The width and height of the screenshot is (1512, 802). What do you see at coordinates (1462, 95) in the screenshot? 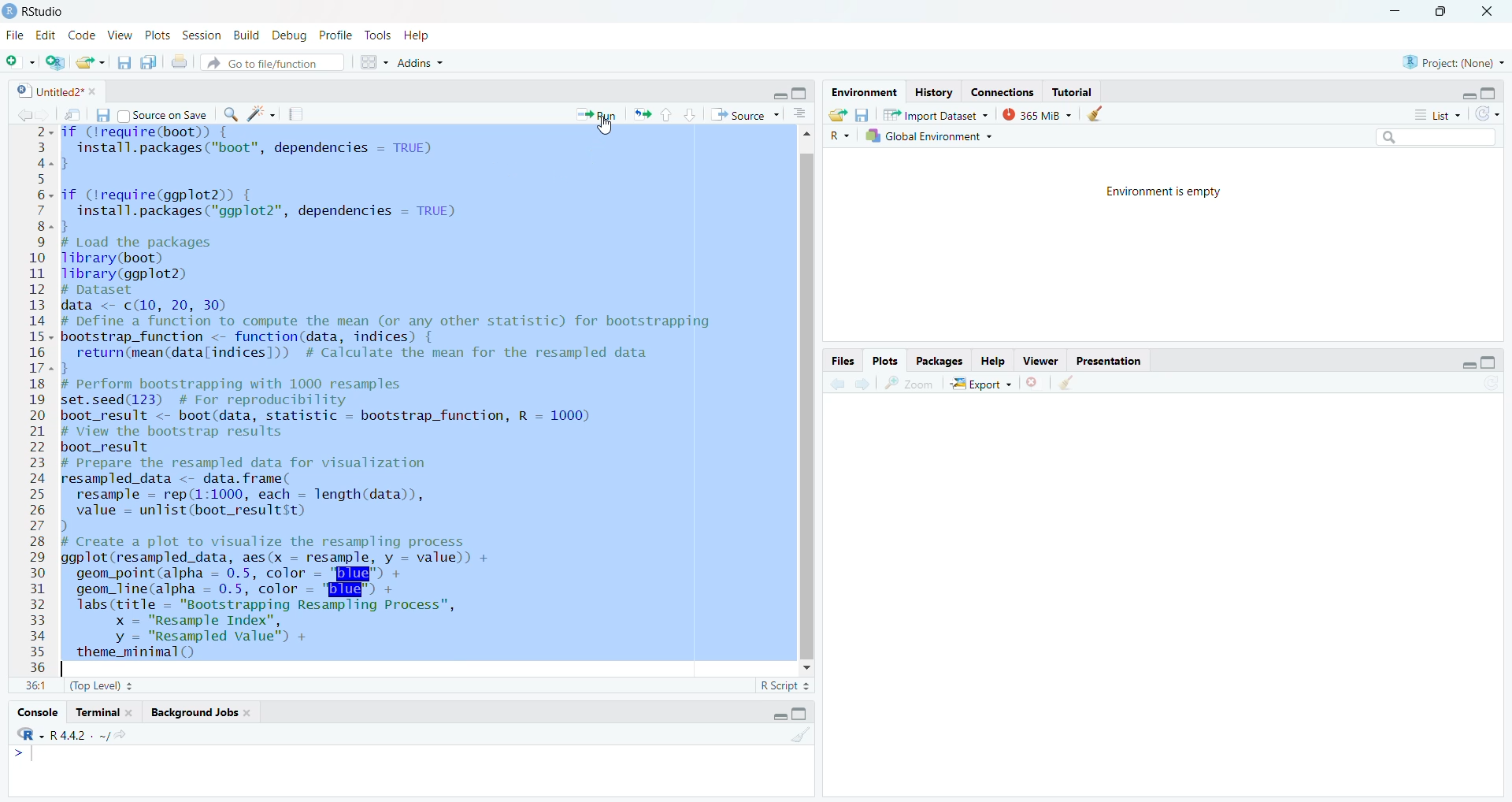
I see `hide r script` at bounding box center [1462, 95].